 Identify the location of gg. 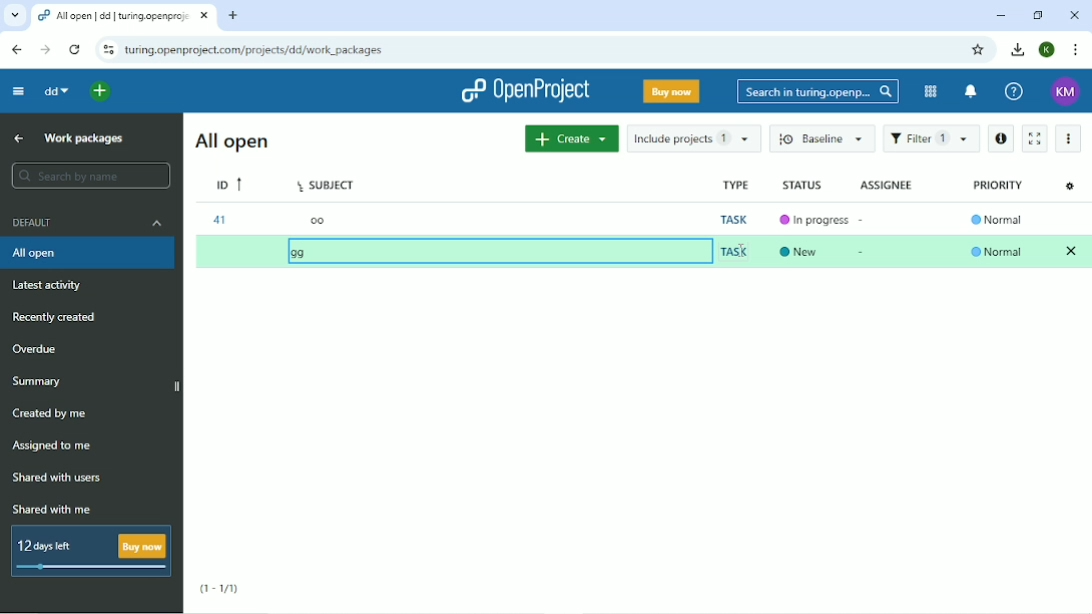
(302, 254).